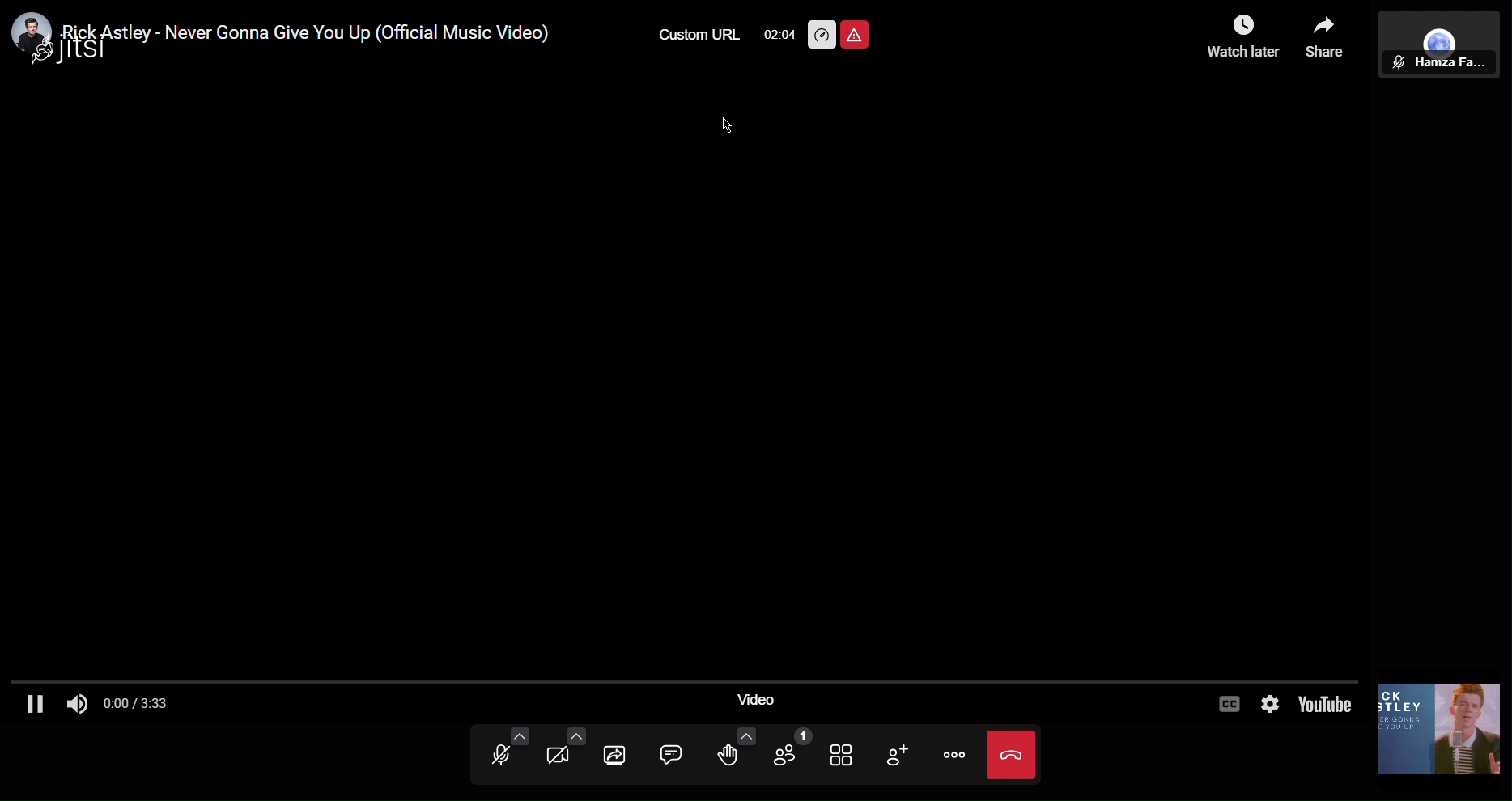 The height and width of the screenshot is (801, 1512). Describe the element at coordinates (1228, 705) in the screenshot. I see `Captions` at that location.